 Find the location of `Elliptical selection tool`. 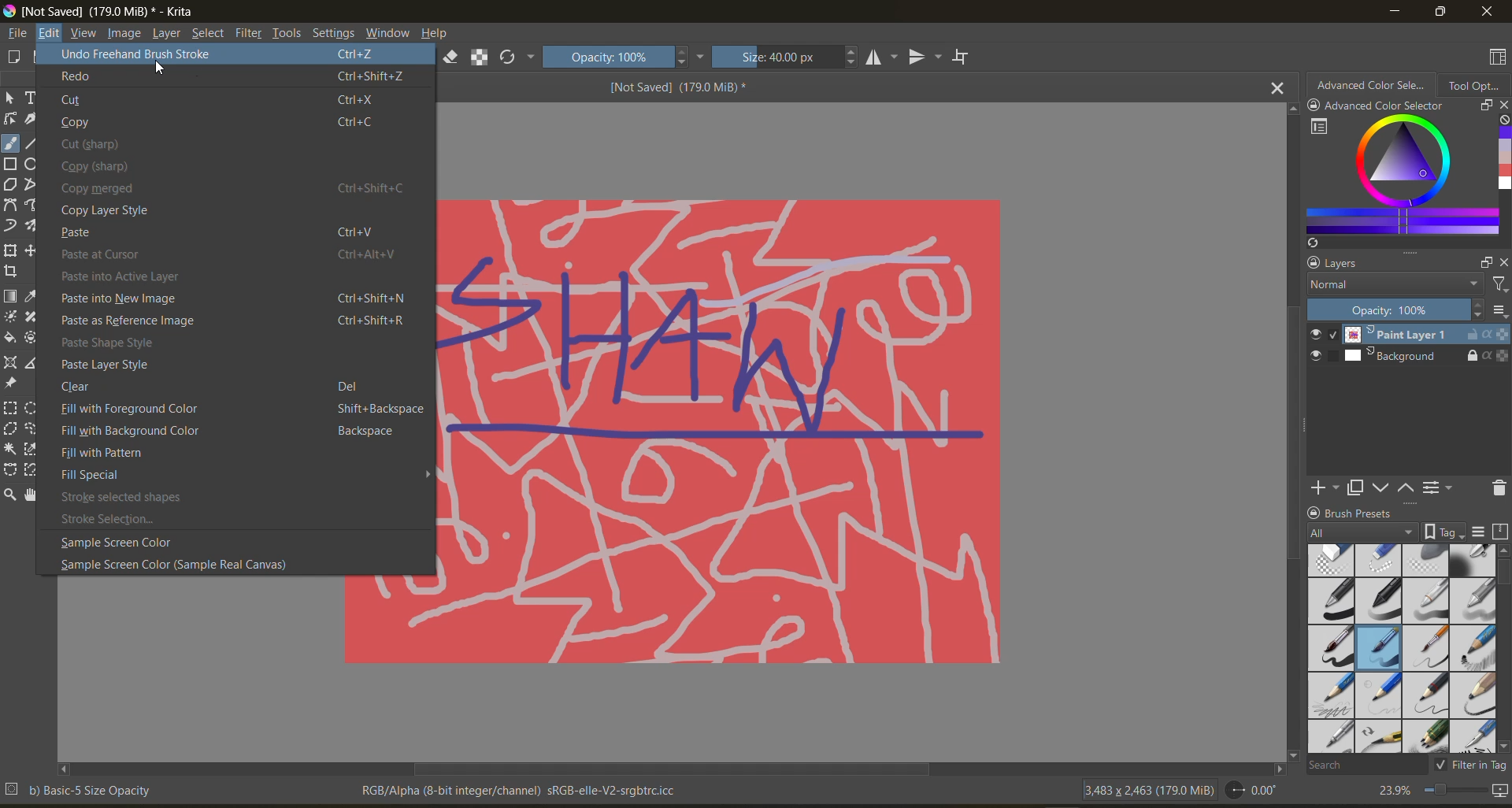

Elliptical selection tool is located at coordinates (35, 408).